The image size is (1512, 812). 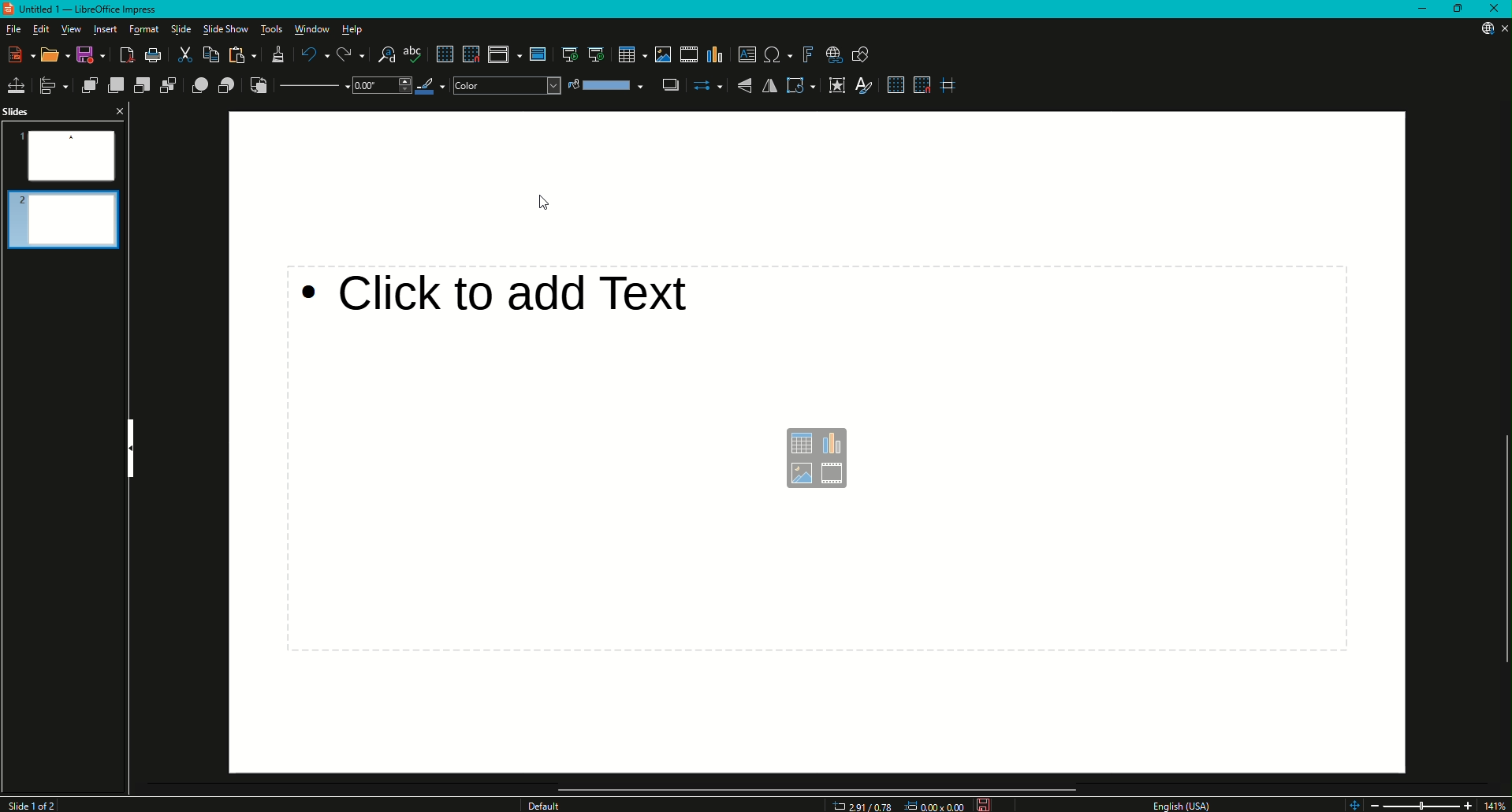 What do you see at coordinates (50, 54) in the screenshot?
I see `Open` at bounding box center [50, 54].